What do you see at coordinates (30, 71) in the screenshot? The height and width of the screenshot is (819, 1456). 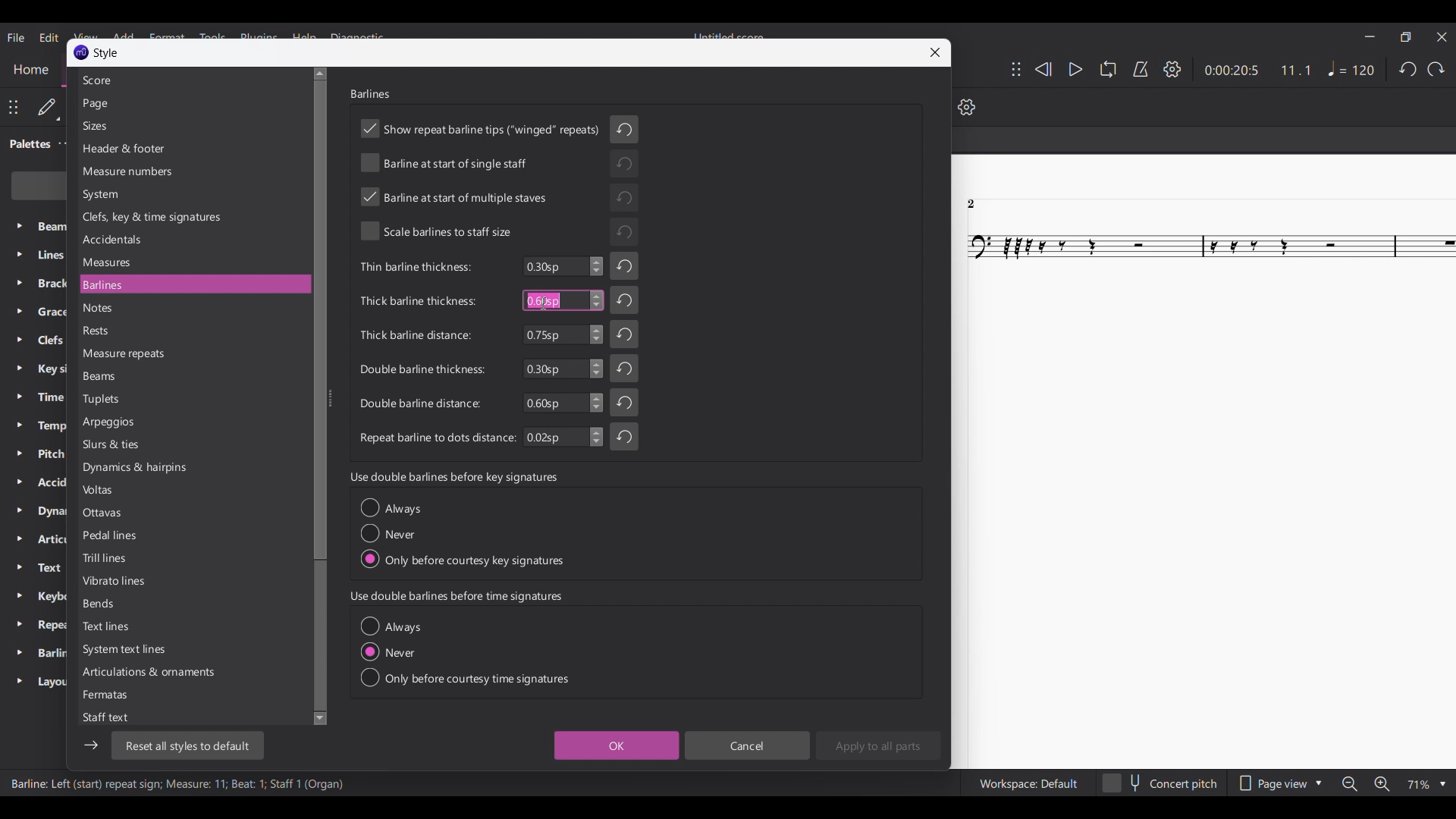 I see `Home` at bounding box center [30, 71].